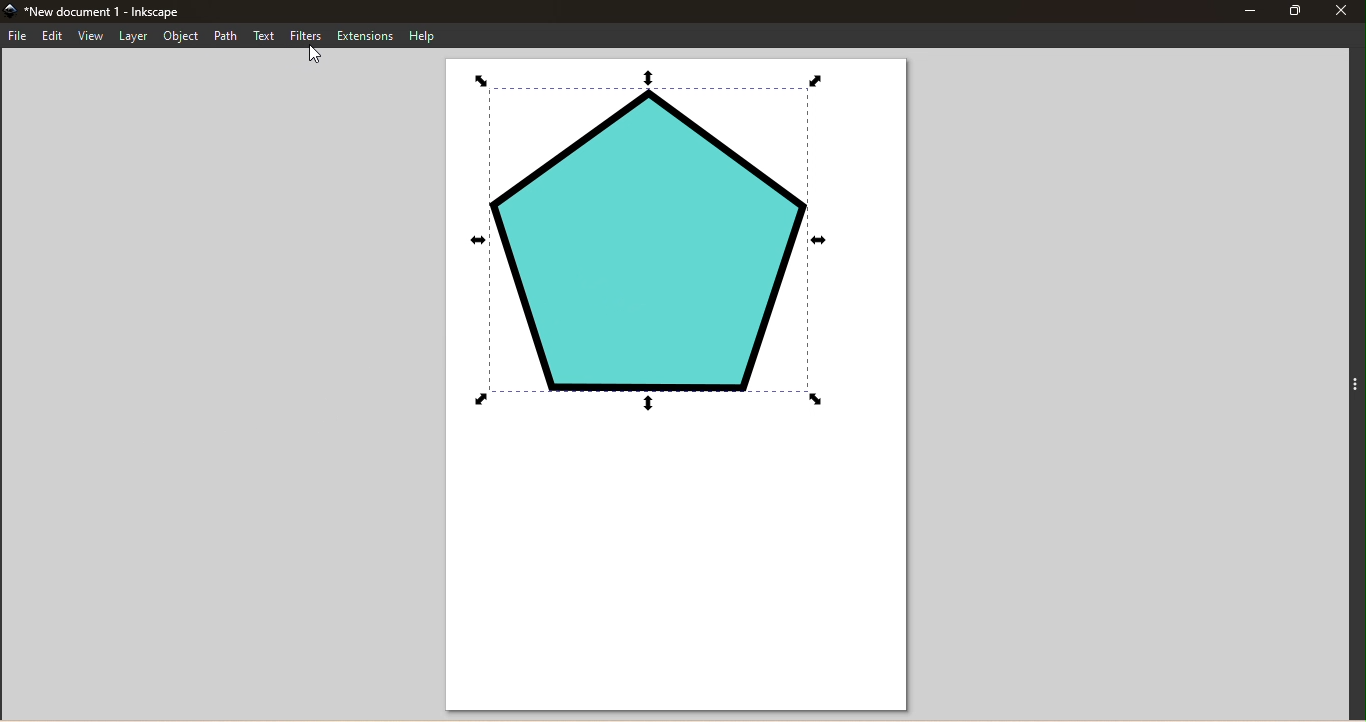 The width and height of the screenshot is (1366, 722). Describe the element at coordinates (426, 36) in the screenshot. I see `Help` at that location.